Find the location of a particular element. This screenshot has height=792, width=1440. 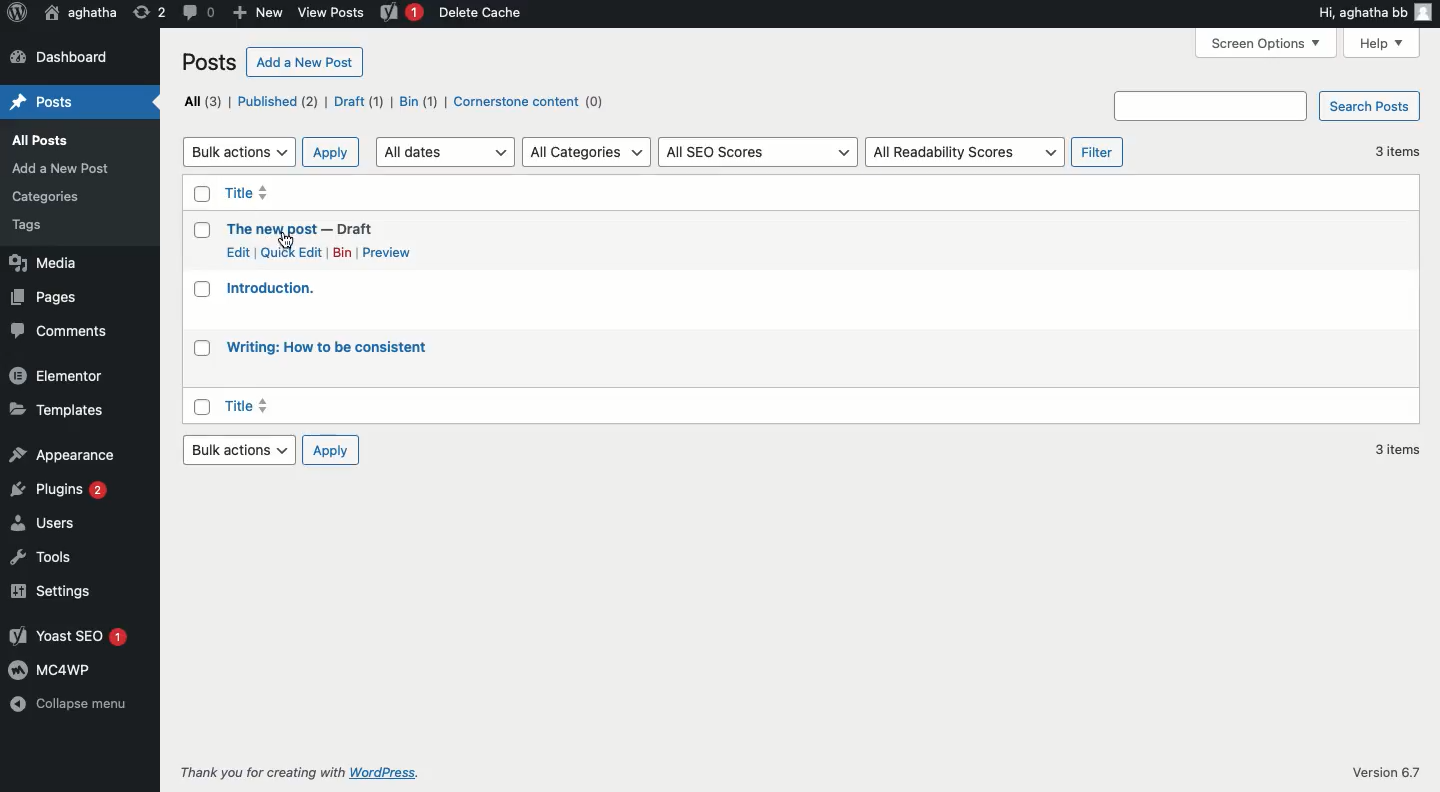

Return is located at coordinates (147, 12).